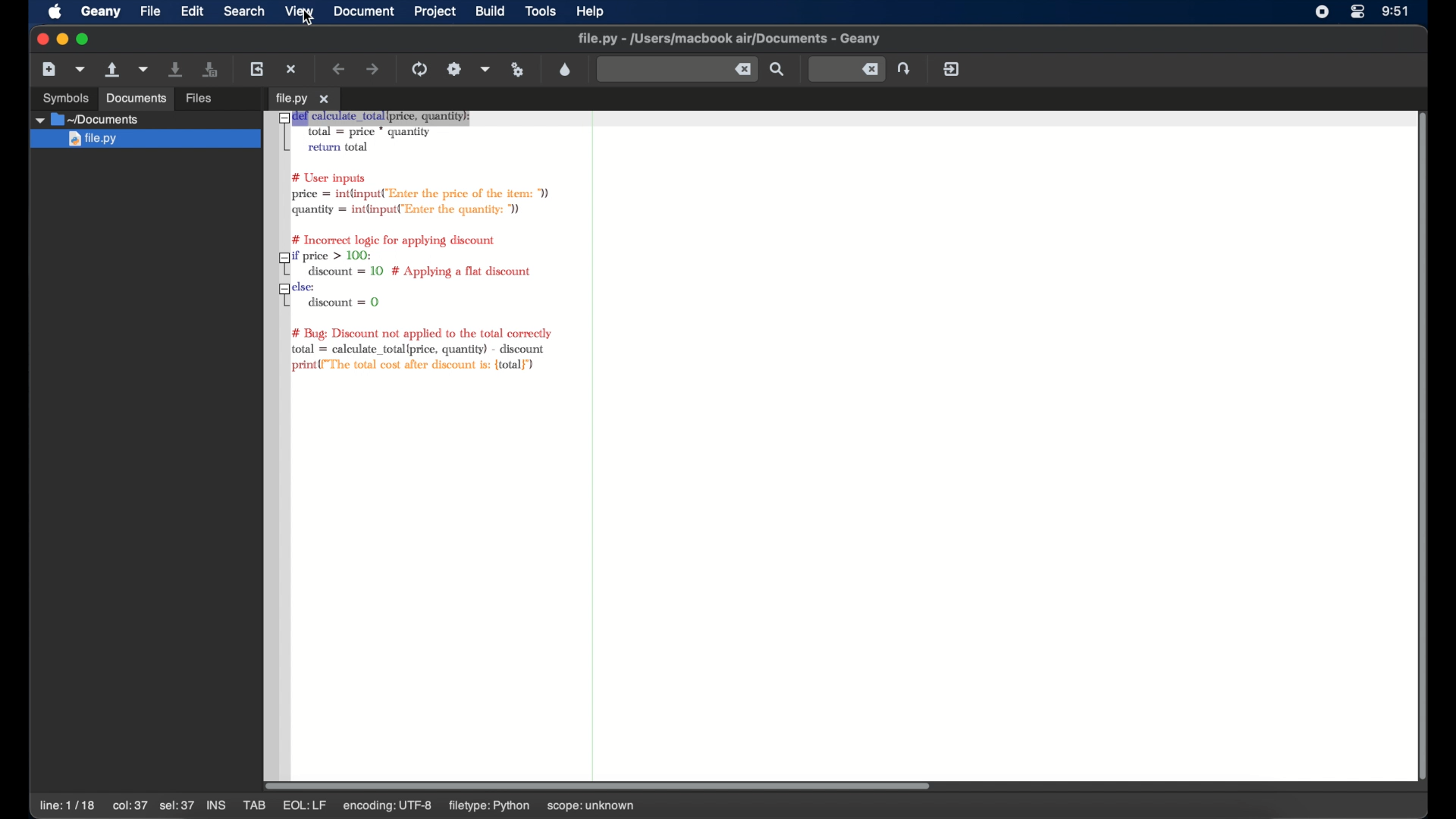 The image size is (1456, 819). What do you see at coordinates (388, 807) in the screenshot?
I see `encoding utf-8` at bounding box center [388, 807].